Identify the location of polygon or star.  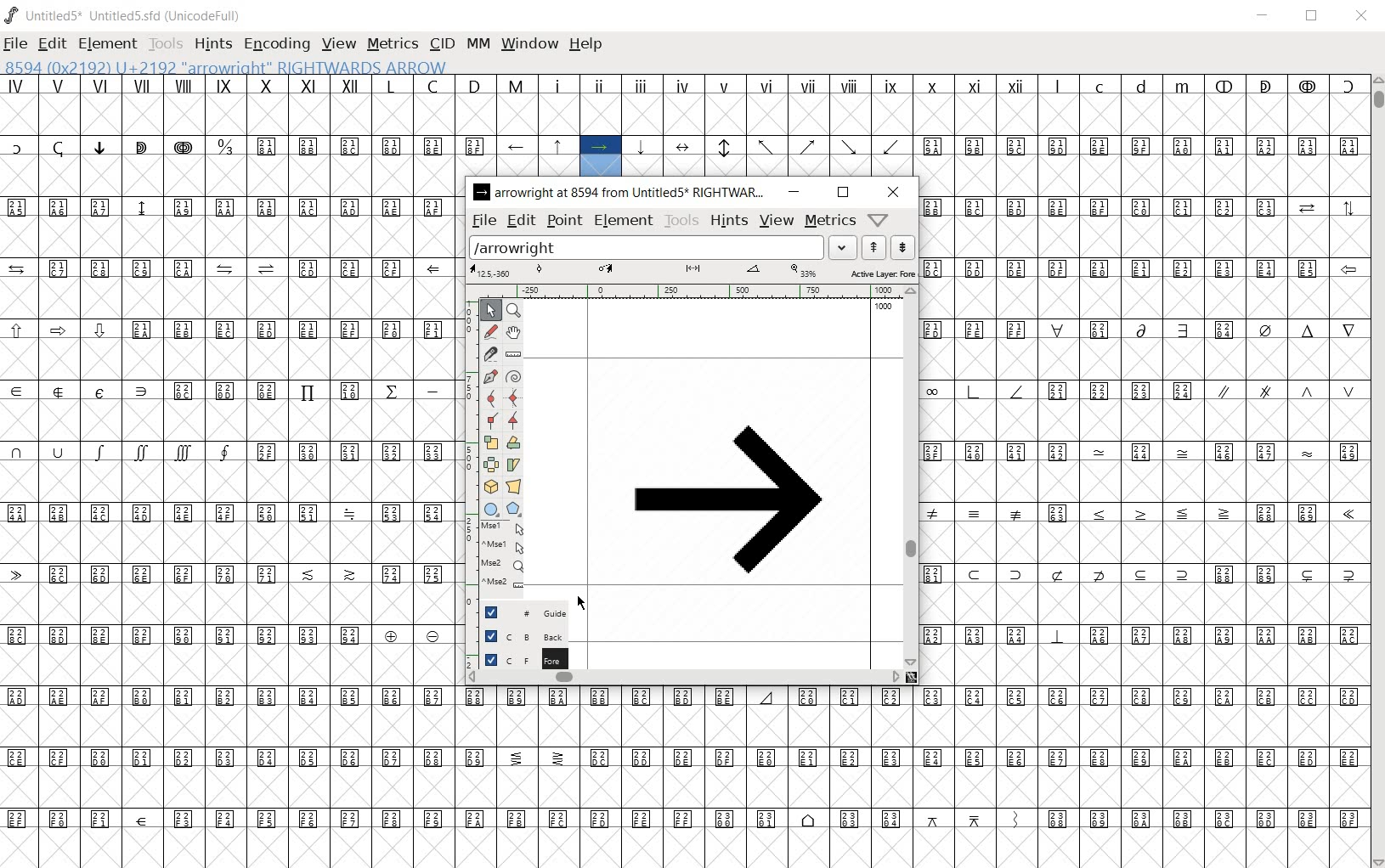
(514, 509).